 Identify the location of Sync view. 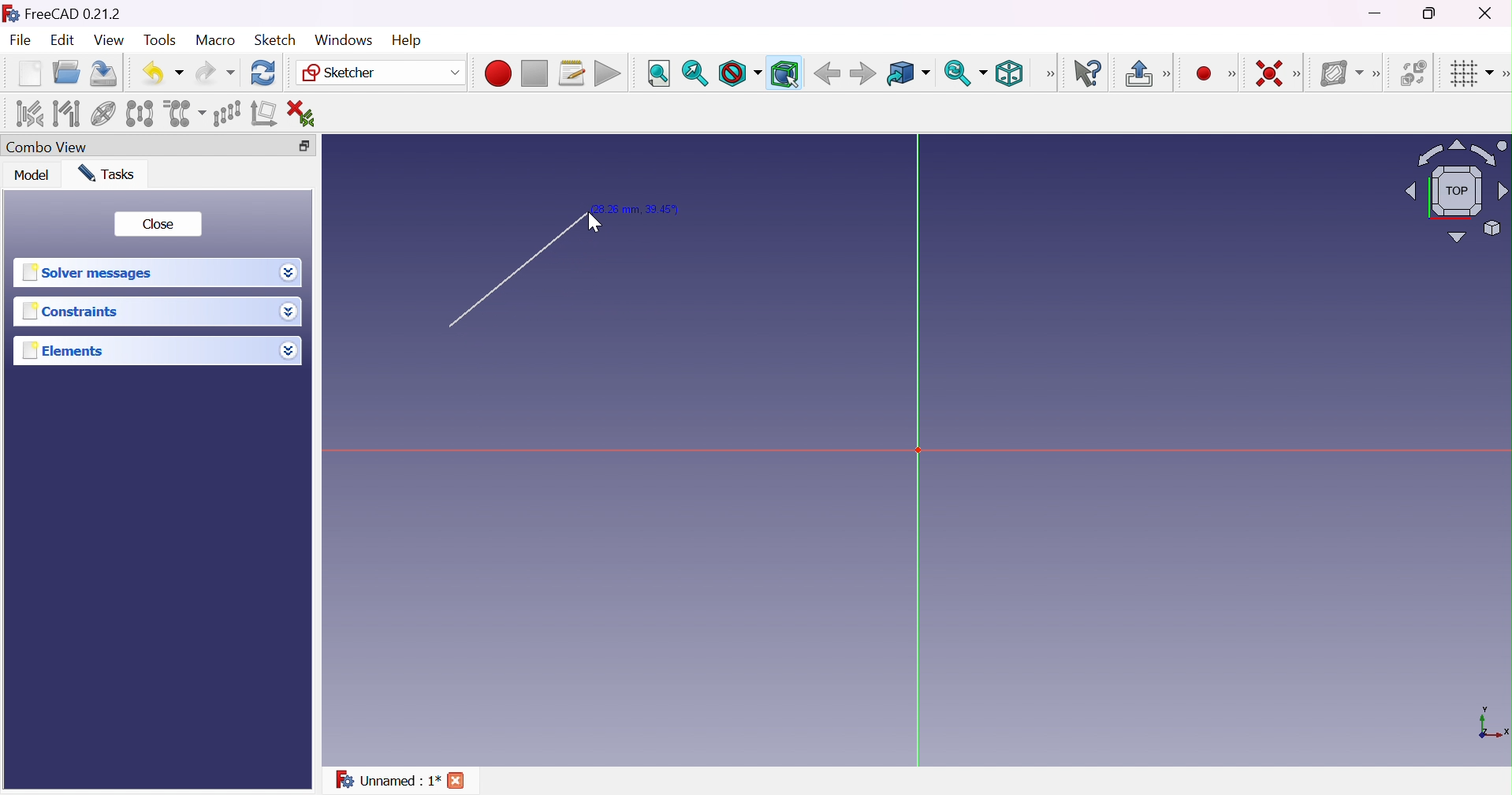
(966, 73).